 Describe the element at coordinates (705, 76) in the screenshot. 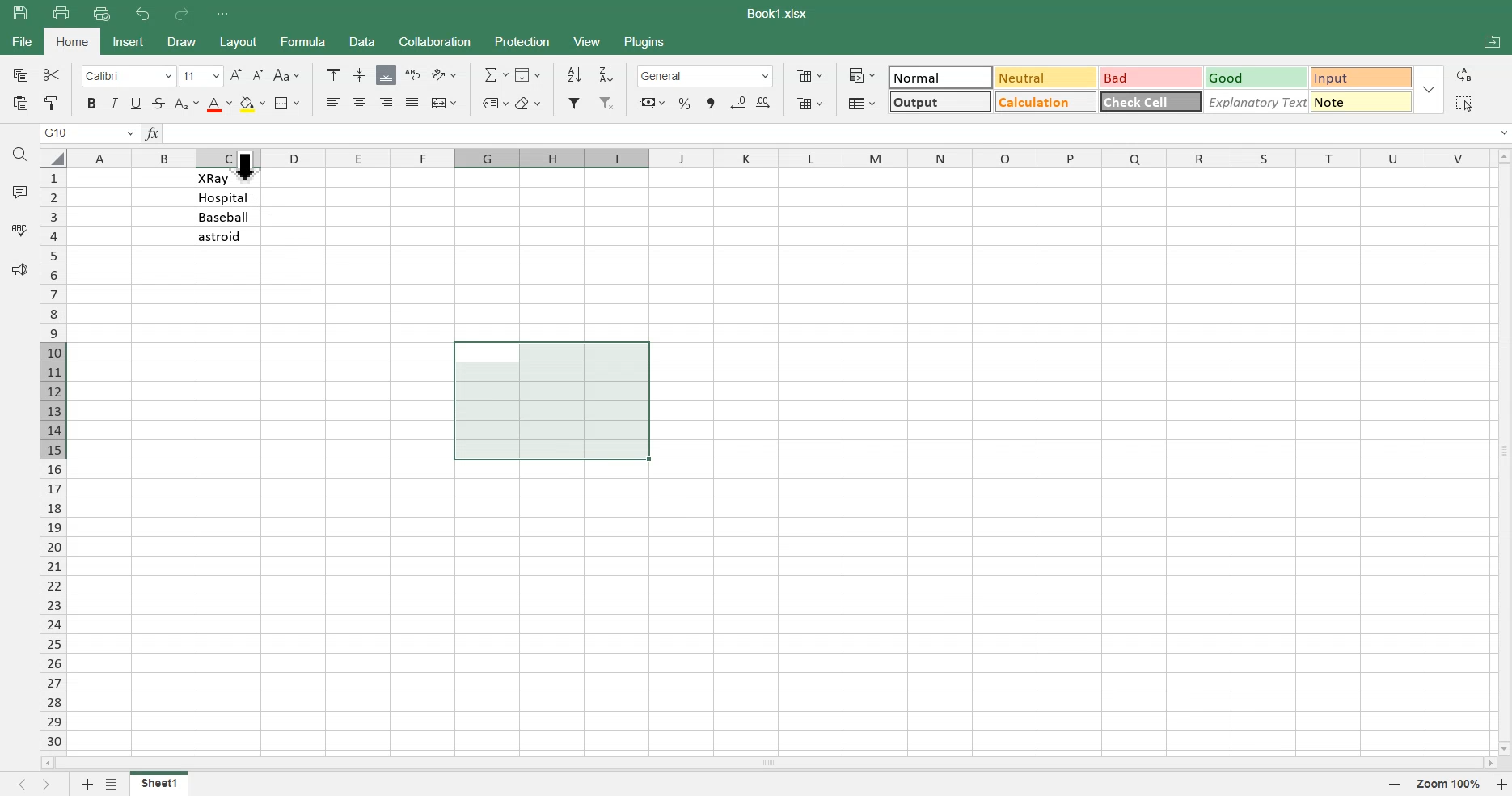

I see `General` at that location.